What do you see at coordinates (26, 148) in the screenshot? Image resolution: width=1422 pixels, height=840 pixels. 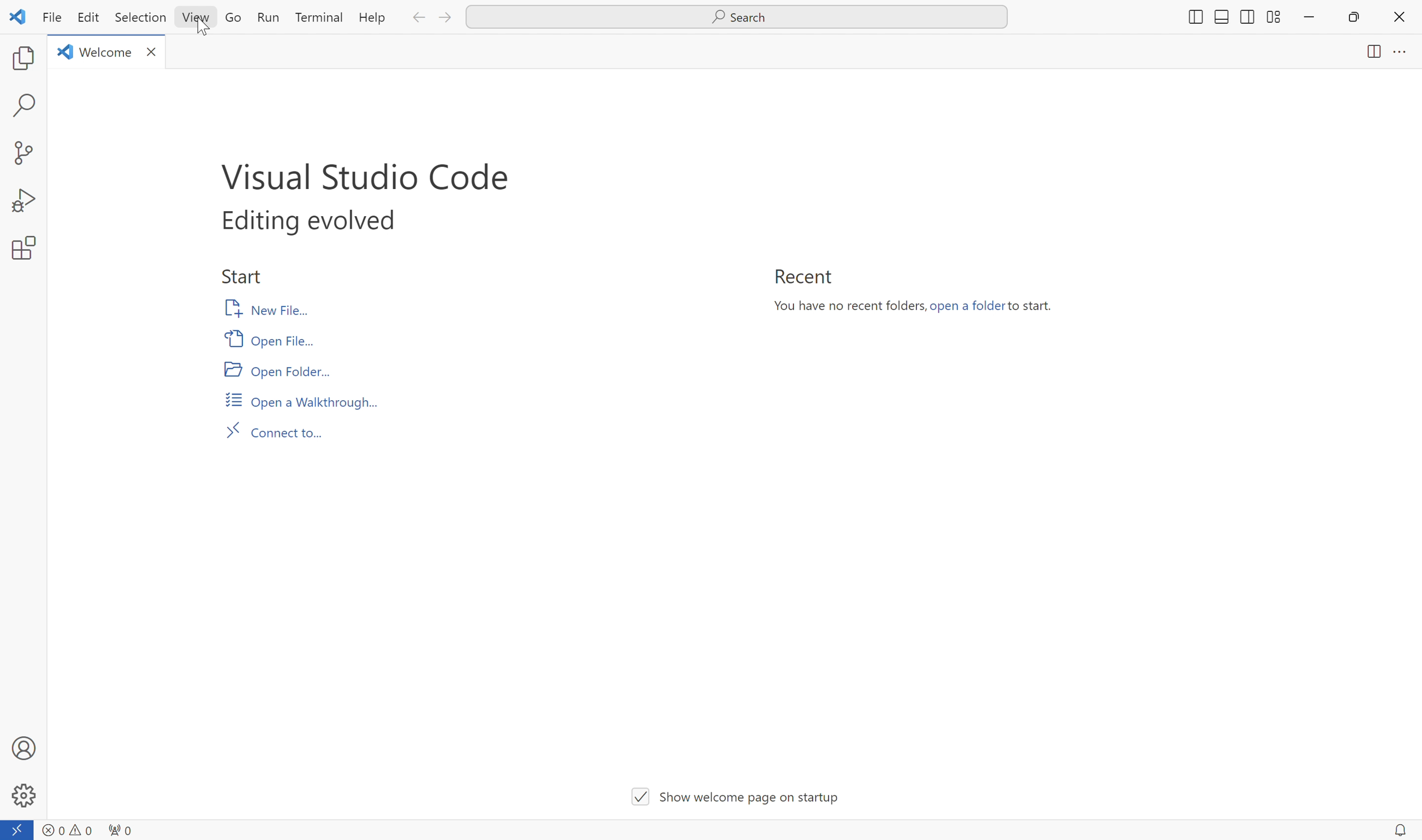 I see `new project` at bounding box center [26, 148].